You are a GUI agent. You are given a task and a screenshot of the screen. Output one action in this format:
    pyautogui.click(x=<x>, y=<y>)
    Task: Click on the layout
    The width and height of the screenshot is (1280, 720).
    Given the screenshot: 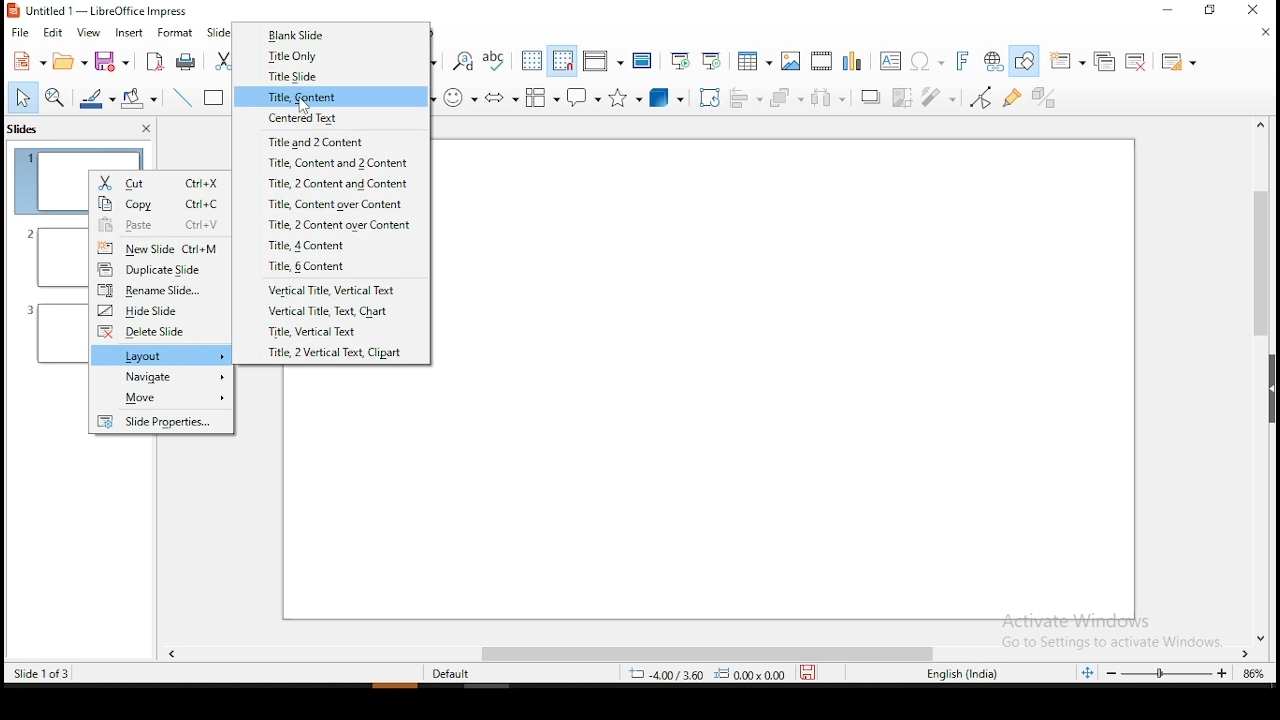 What is the action you would take?
    pyautogui.click(x=163, y=355)
    